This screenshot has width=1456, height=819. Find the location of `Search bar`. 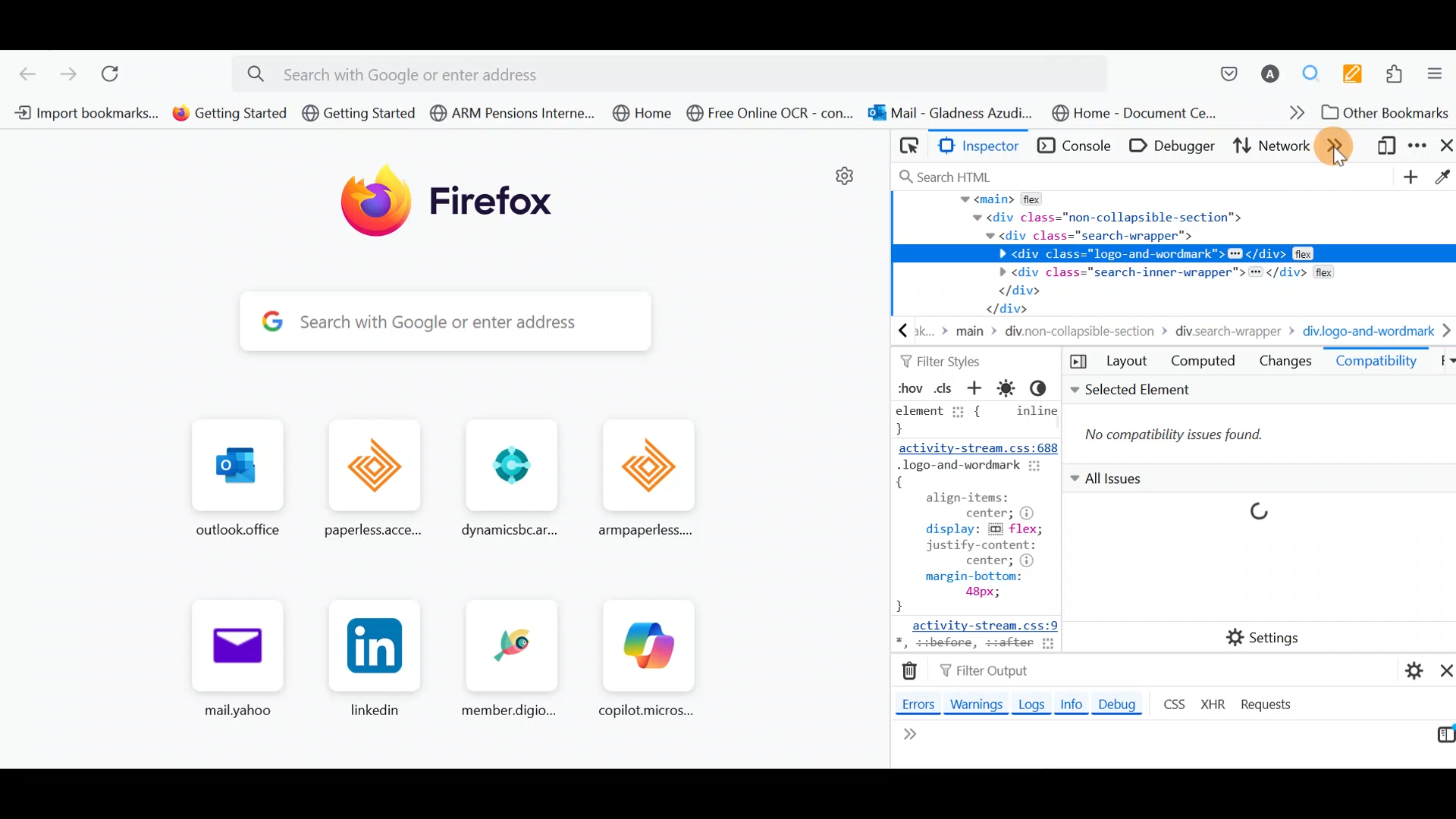

Search bar is located at coordinates (677, 71).